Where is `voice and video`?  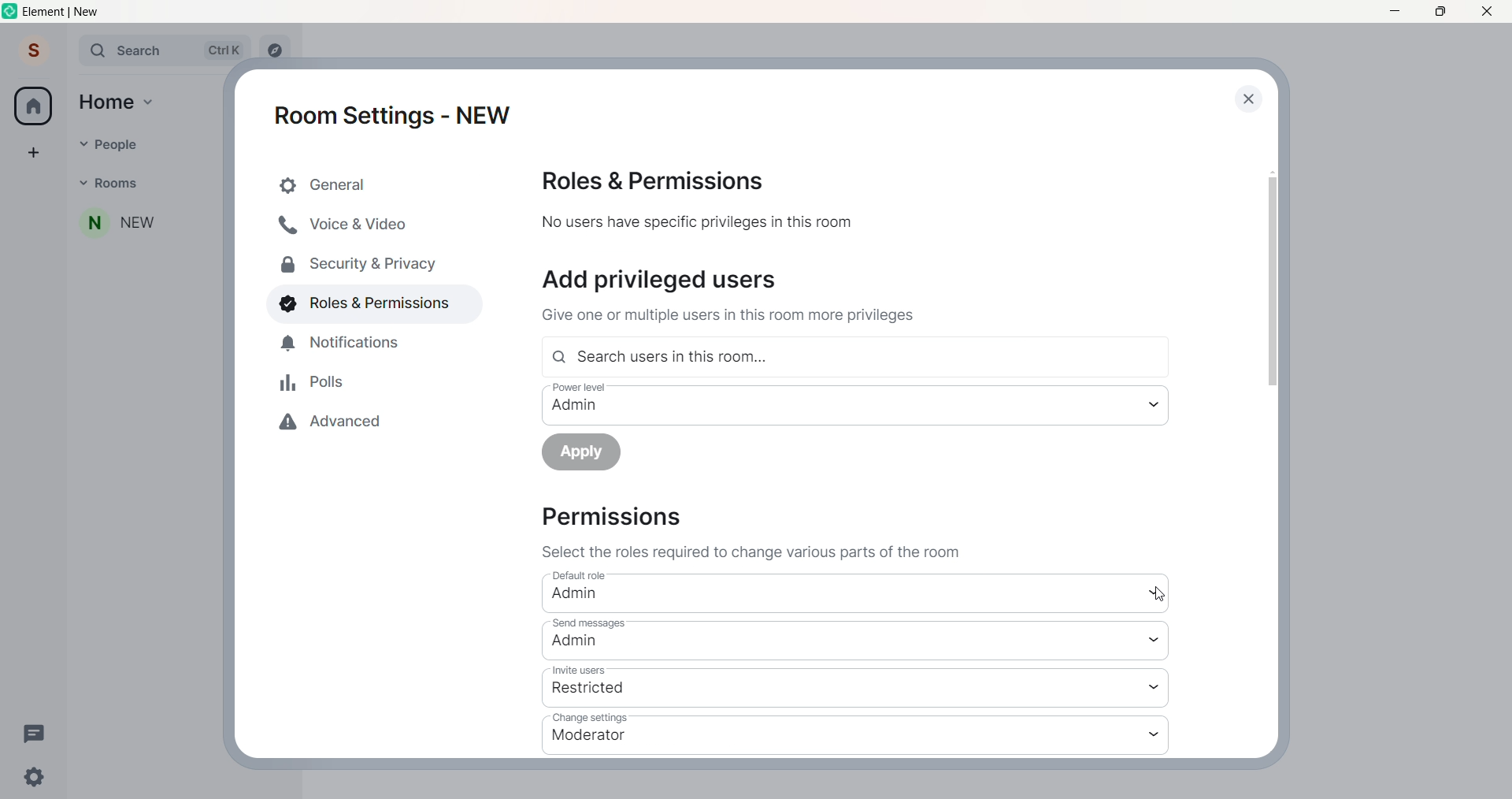 voice and video is located at coordinates (348, 225).